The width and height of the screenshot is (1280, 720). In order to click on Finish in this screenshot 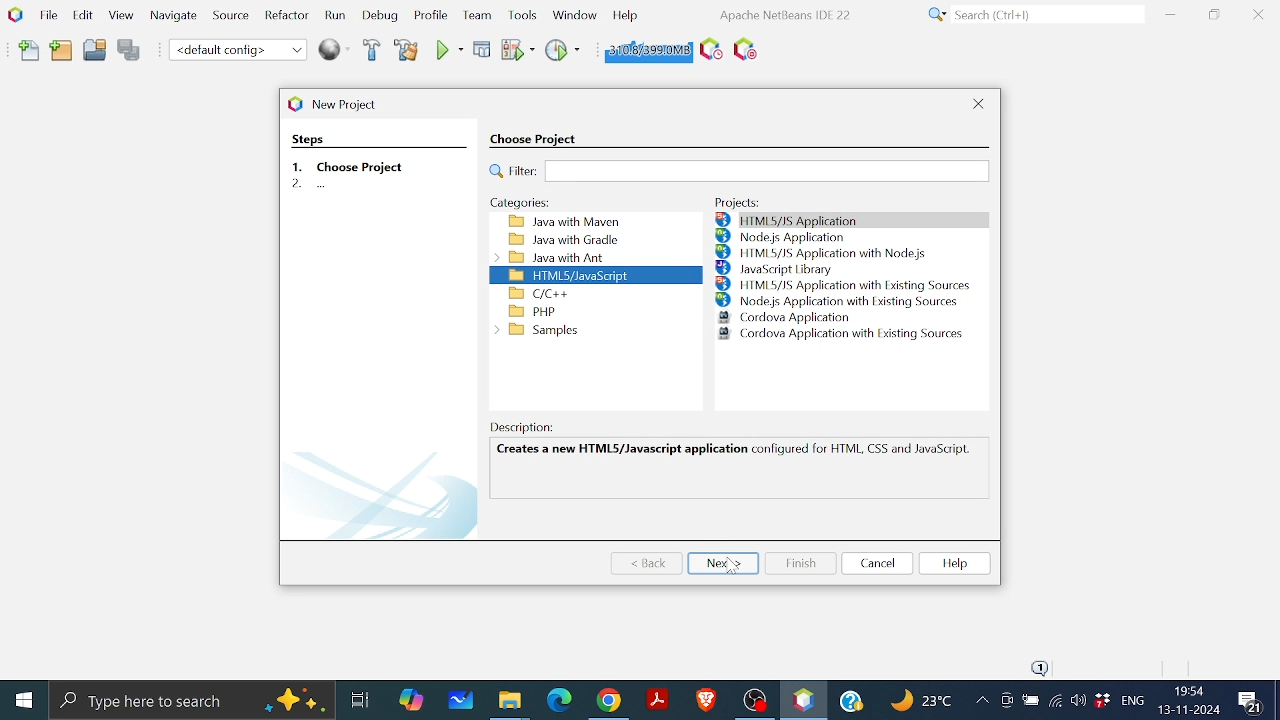, I will do `click(800, 565)`.